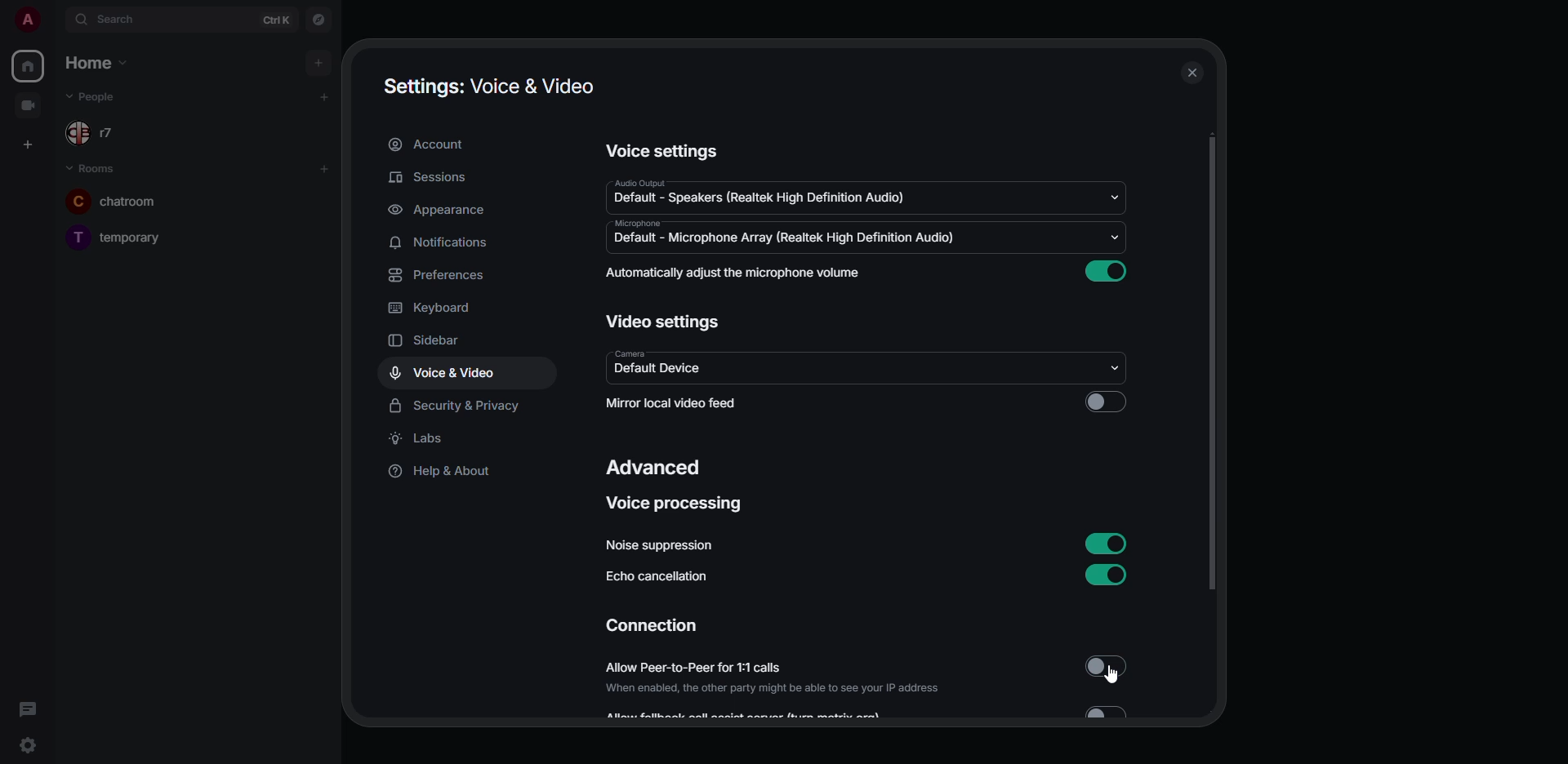 The image size is (1568, 764). I want to click on sessions, so click(431, 179).